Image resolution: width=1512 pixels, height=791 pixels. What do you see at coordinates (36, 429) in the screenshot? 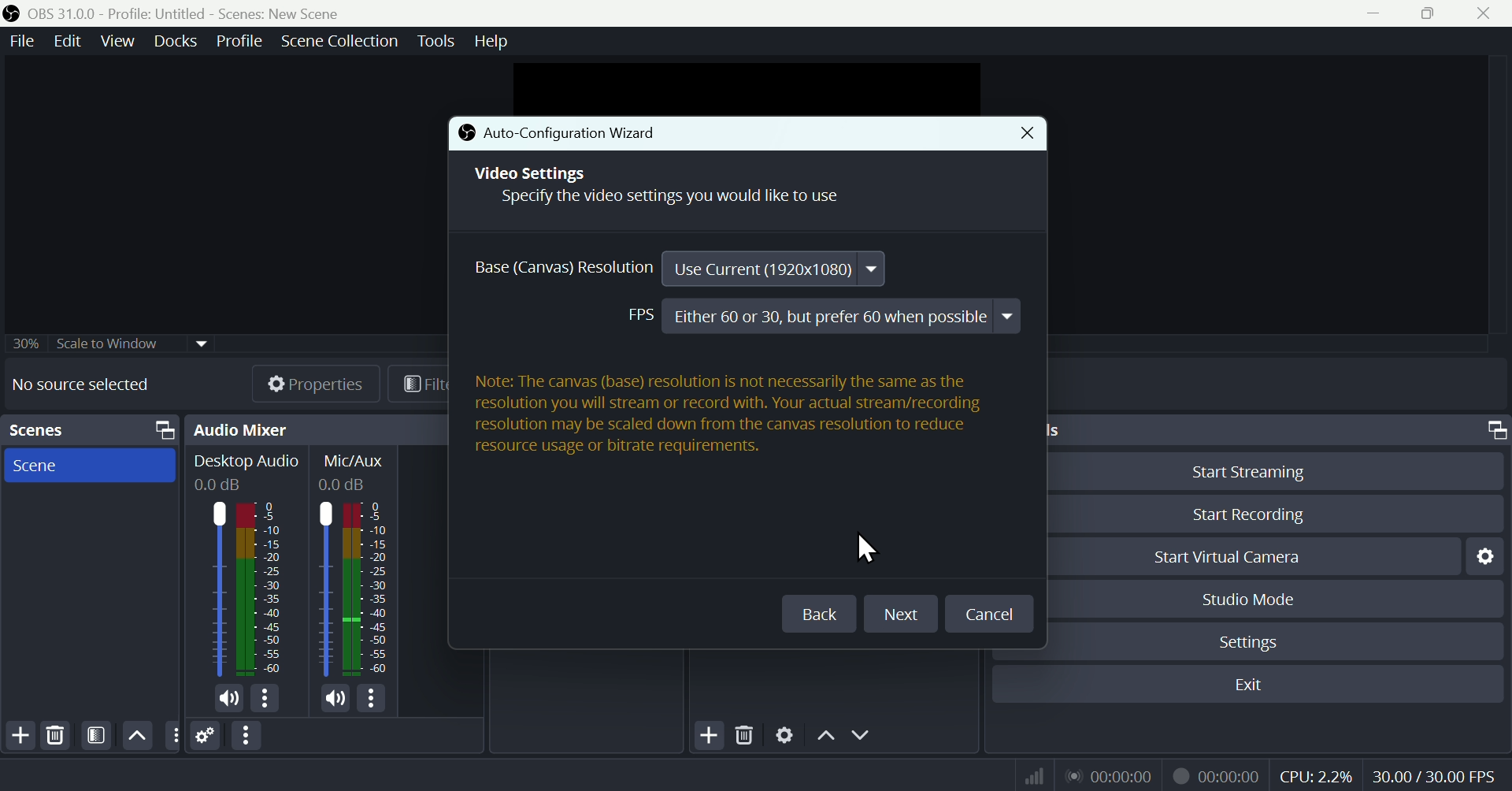
I see `Scenes` at bounding box center [36, 429].